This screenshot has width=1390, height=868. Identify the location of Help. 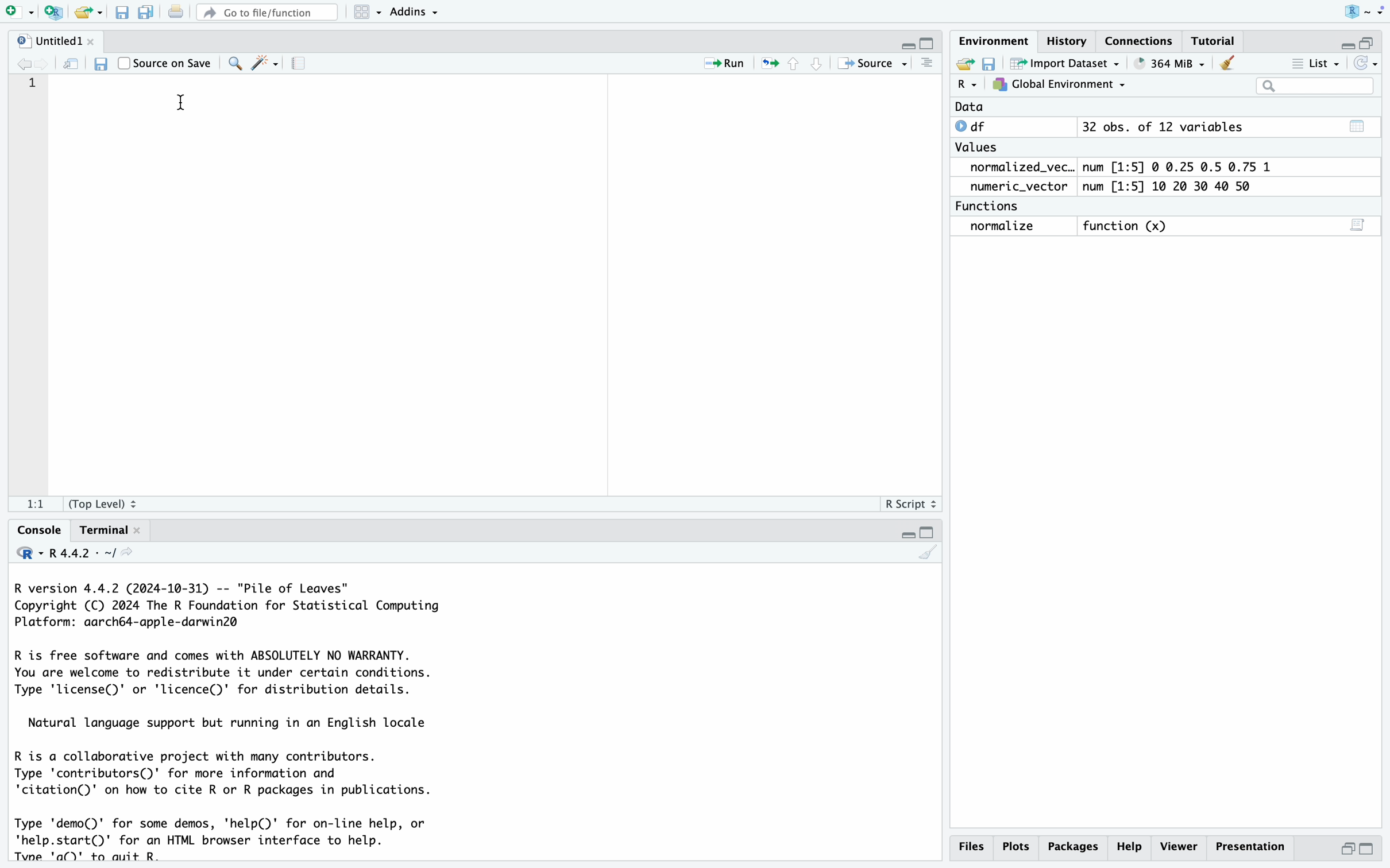
(1132, 846).